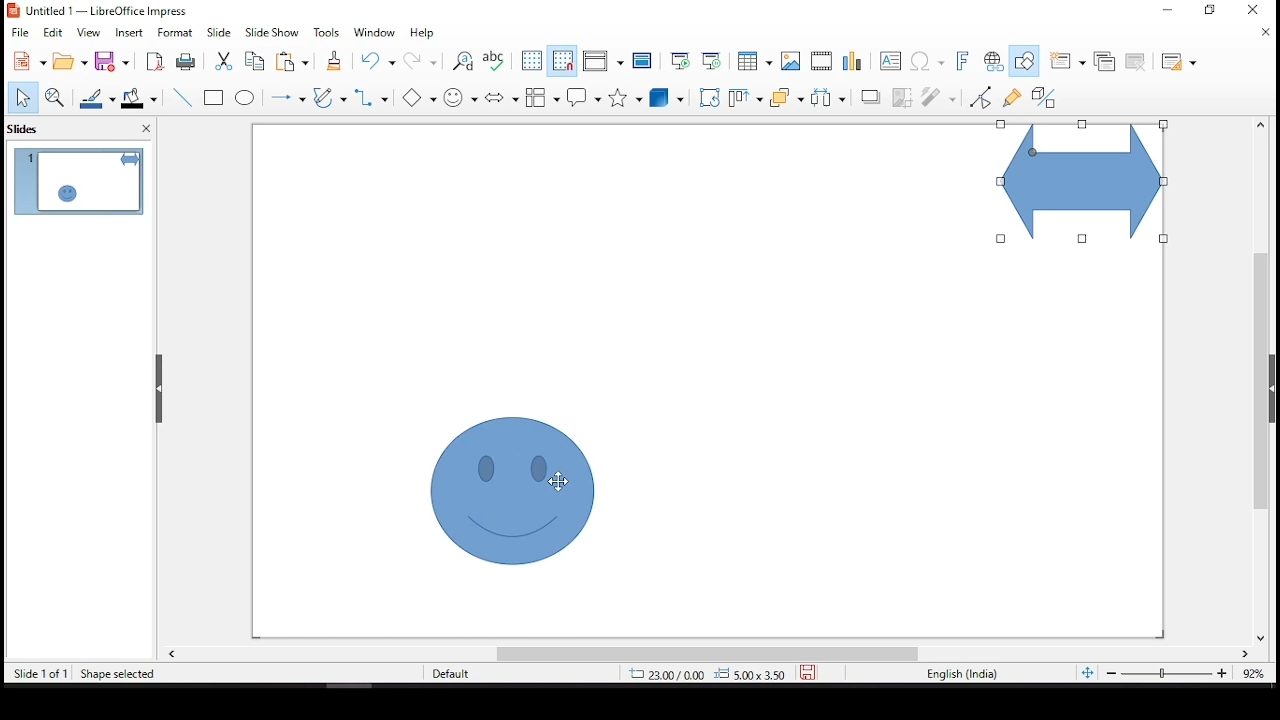  What do you see at coordinates (422, 65) in the screenshot?
I see `redo` at bounding box center [422, 65].